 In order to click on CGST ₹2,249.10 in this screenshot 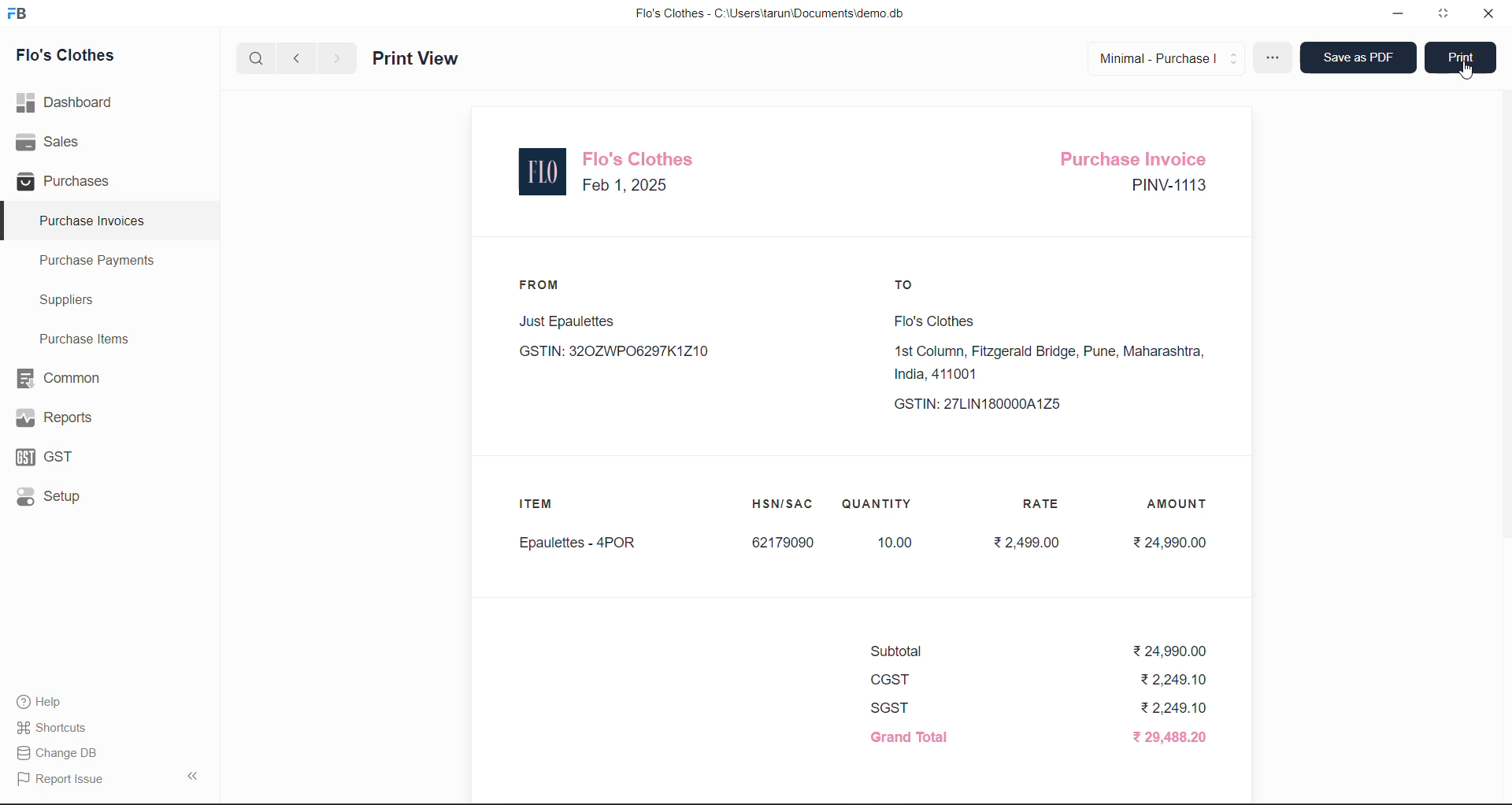, I will do `click(1040, 681)`.